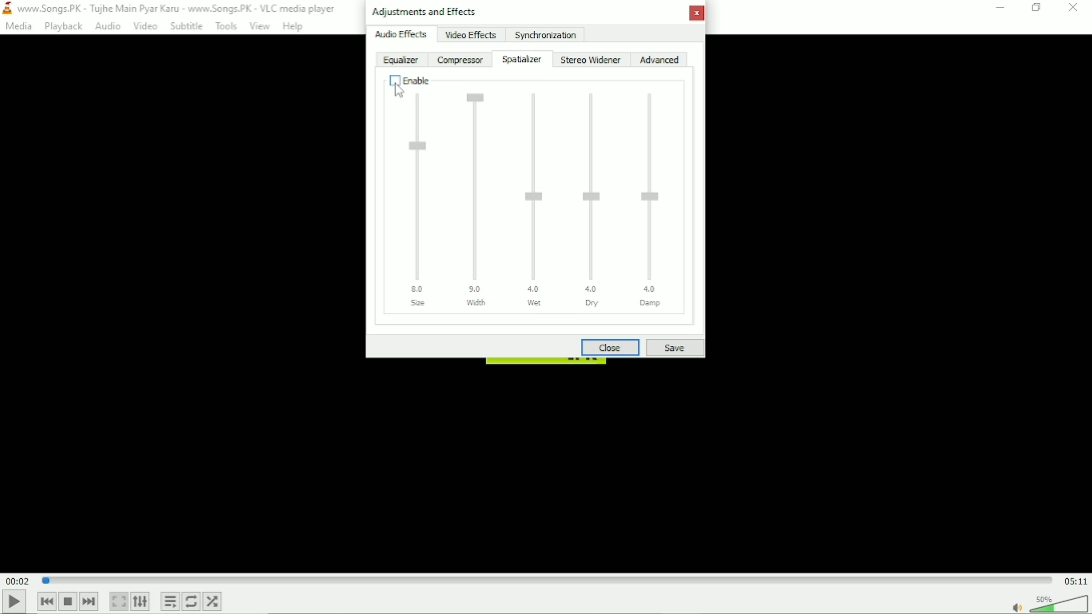  Describe the element at coordinates (17, 580) in the screenshot. I see `Elapsed time` at that location.